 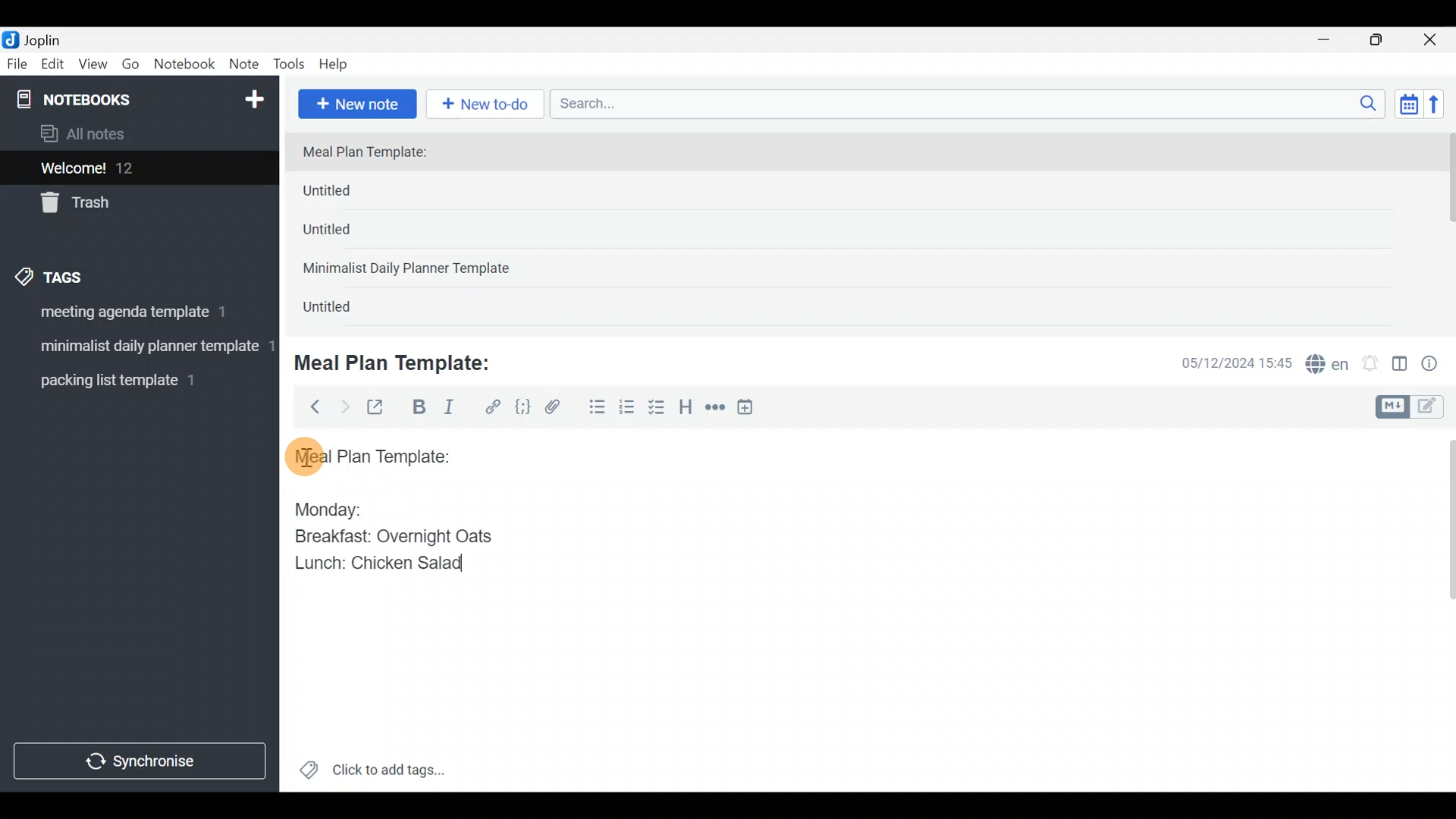 I want to click on Go, so click(x=130, y=67).